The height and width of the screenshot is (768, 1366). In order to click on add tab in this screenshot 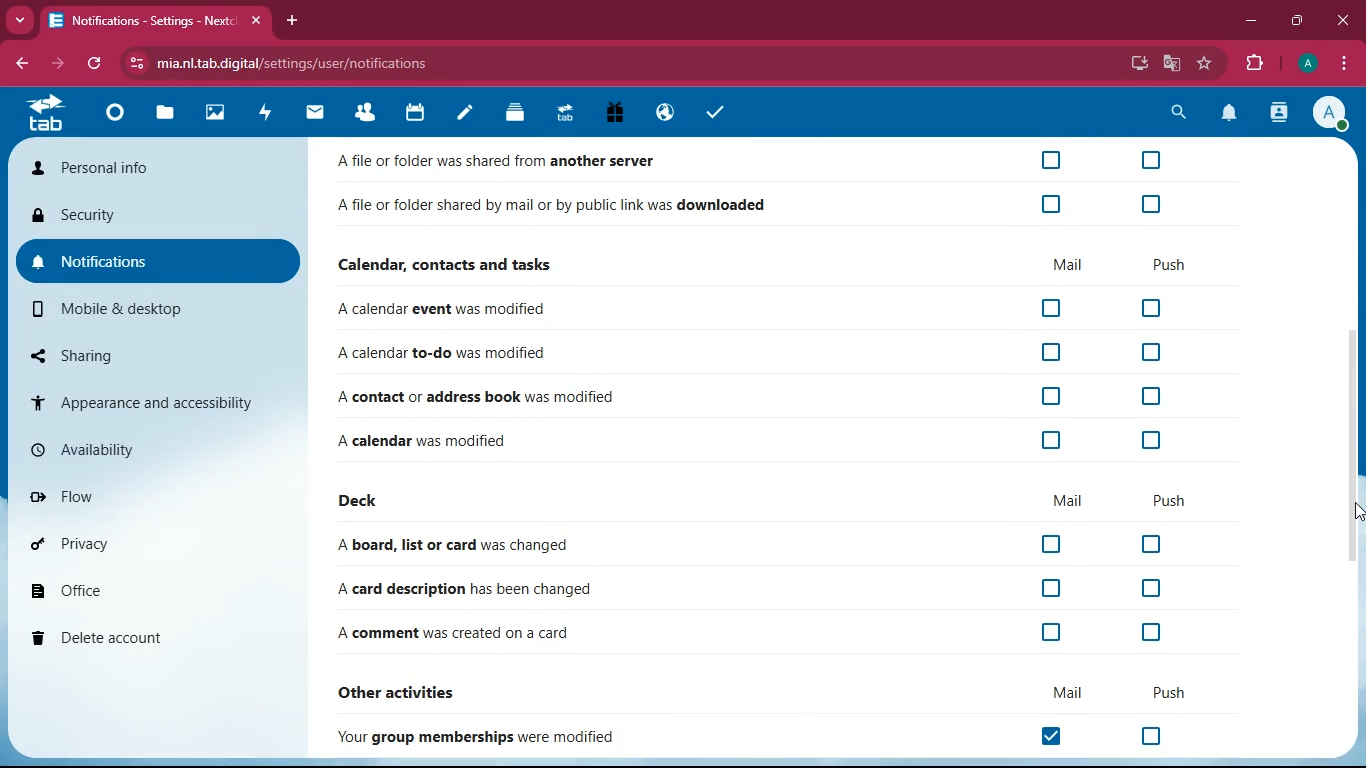, I will do `click(291, 20)`.